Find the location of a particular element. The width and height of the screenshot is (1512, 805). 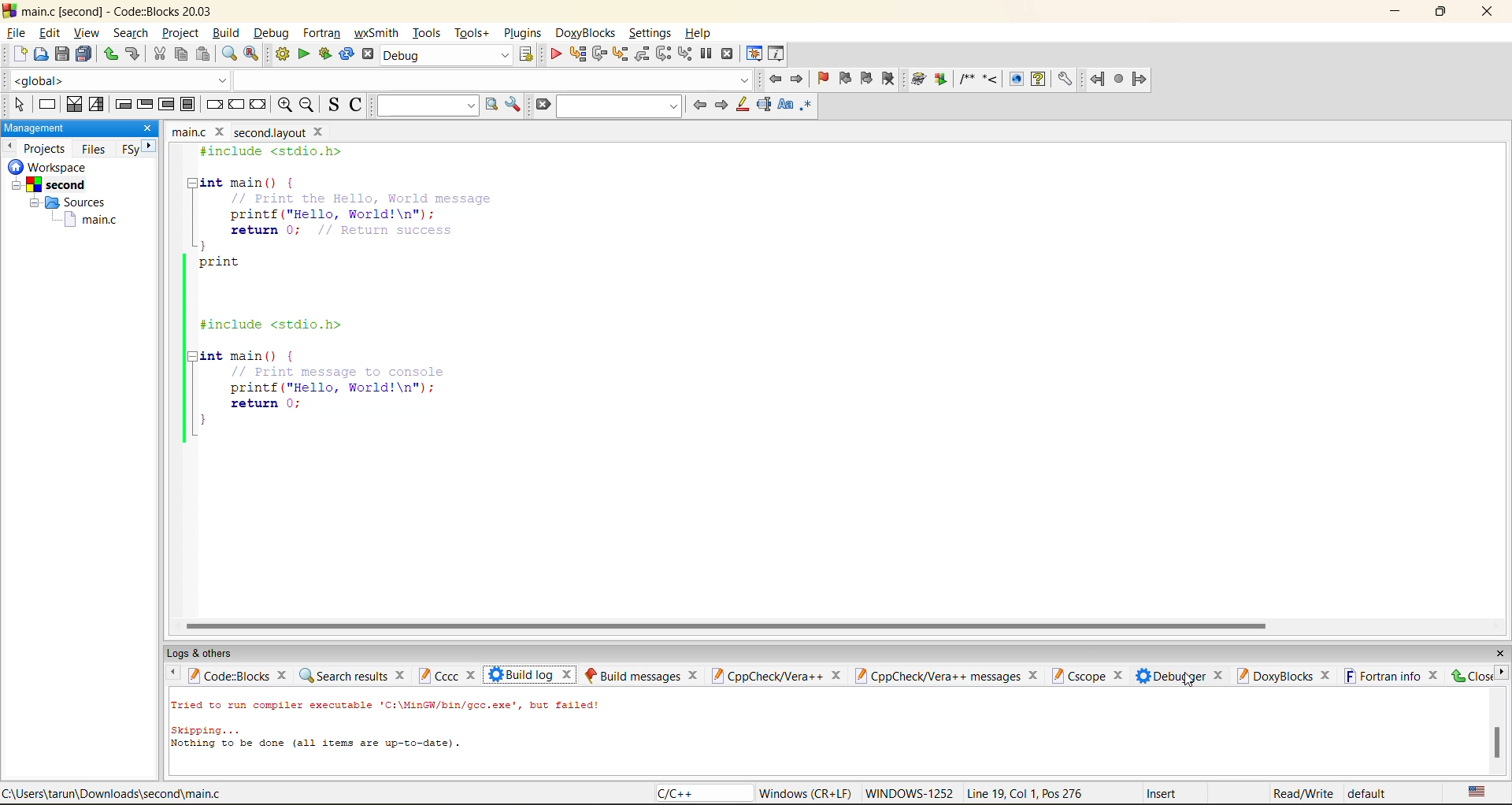

maximize is located at coordinates (1440, 13).